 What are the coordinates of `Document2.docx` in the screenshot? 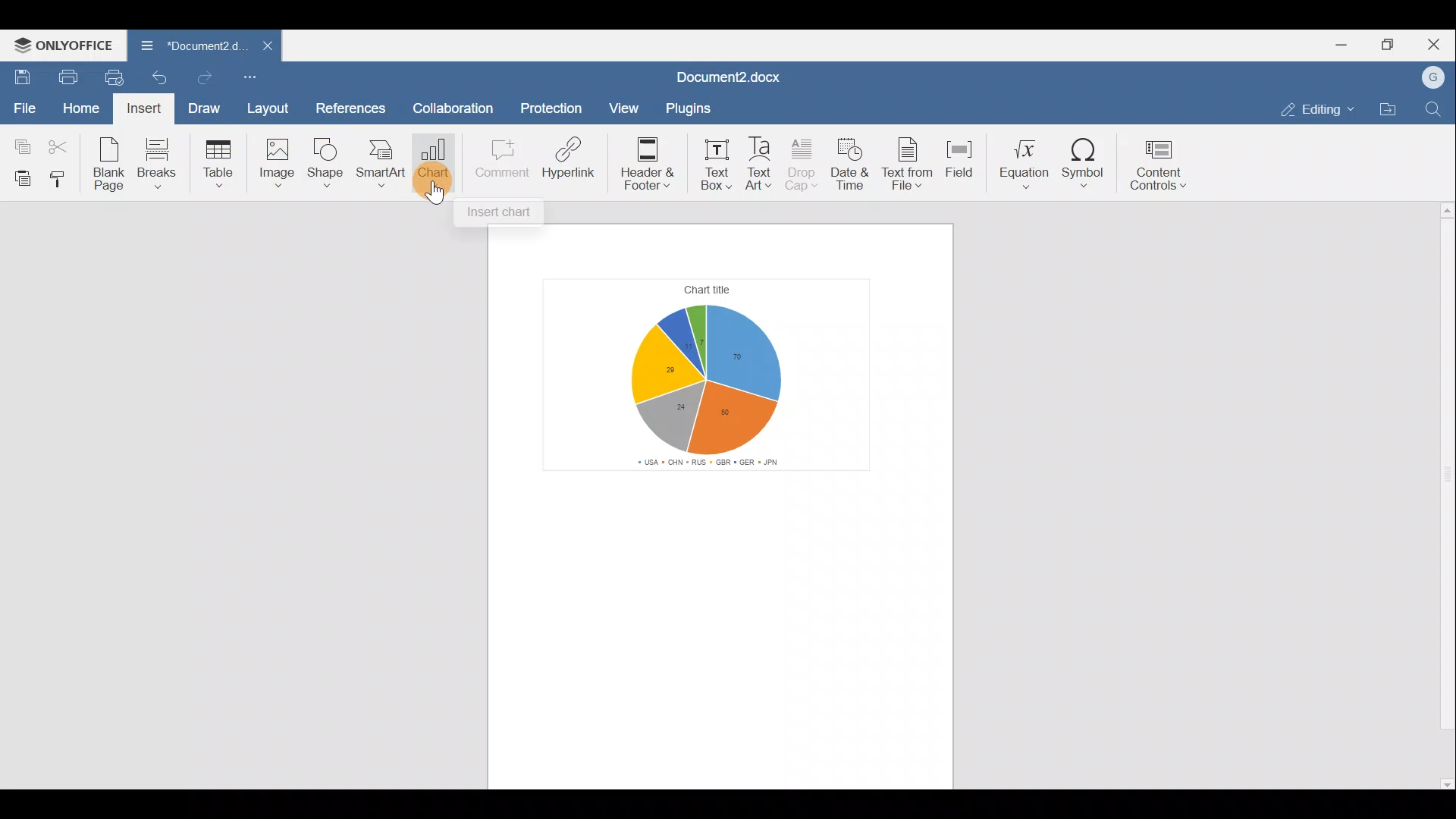 It's located at (730, 74).